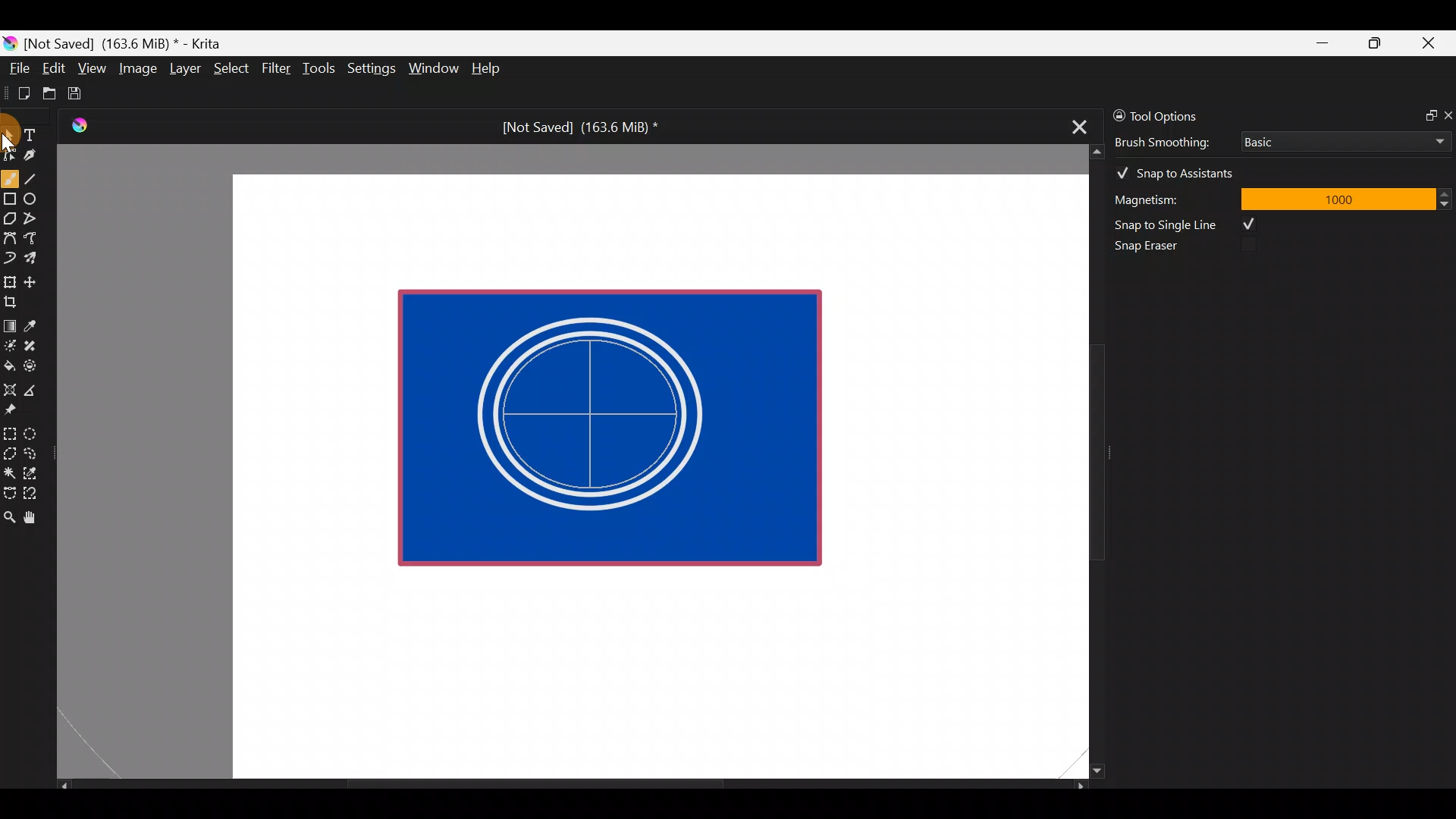 Image resolution: width=1456 pixels, height=819 pixels. I want to click on Select shapes tool, so click(9, 136).